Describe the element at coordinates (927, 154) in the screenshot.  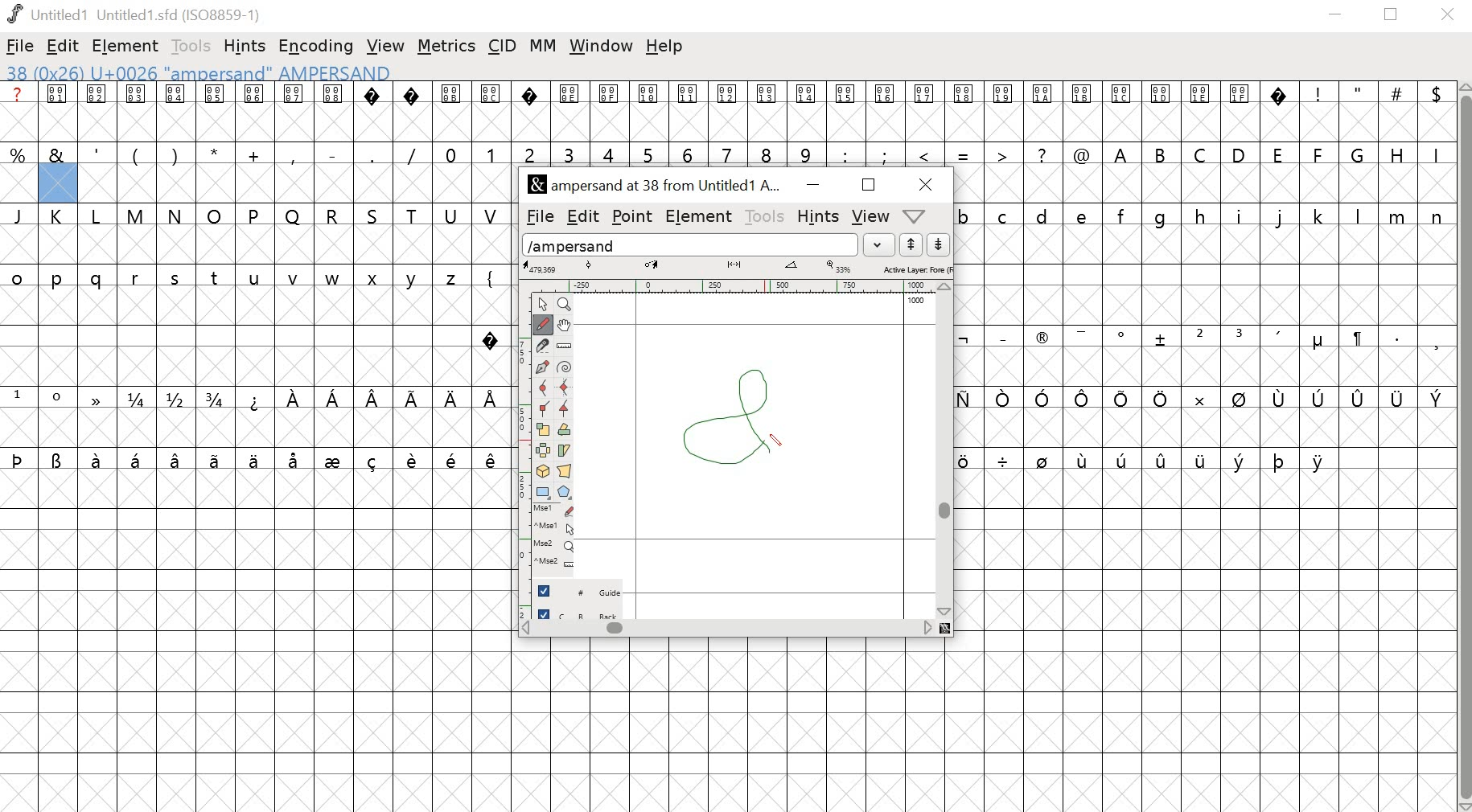
I see `<` at that location.